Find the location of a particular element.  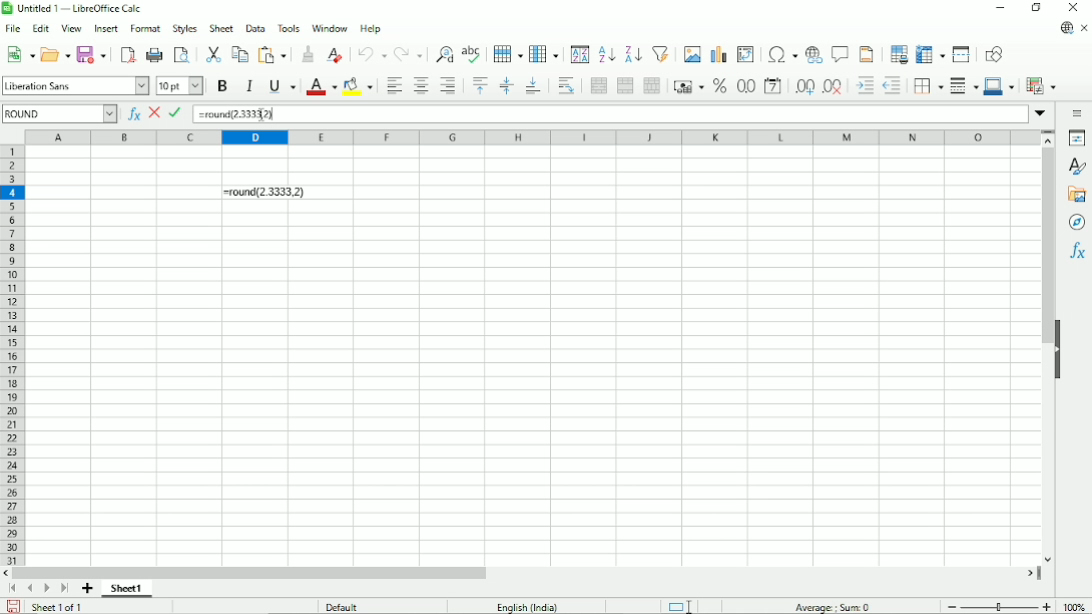

Update available  is located at coordinates (1066, 28).